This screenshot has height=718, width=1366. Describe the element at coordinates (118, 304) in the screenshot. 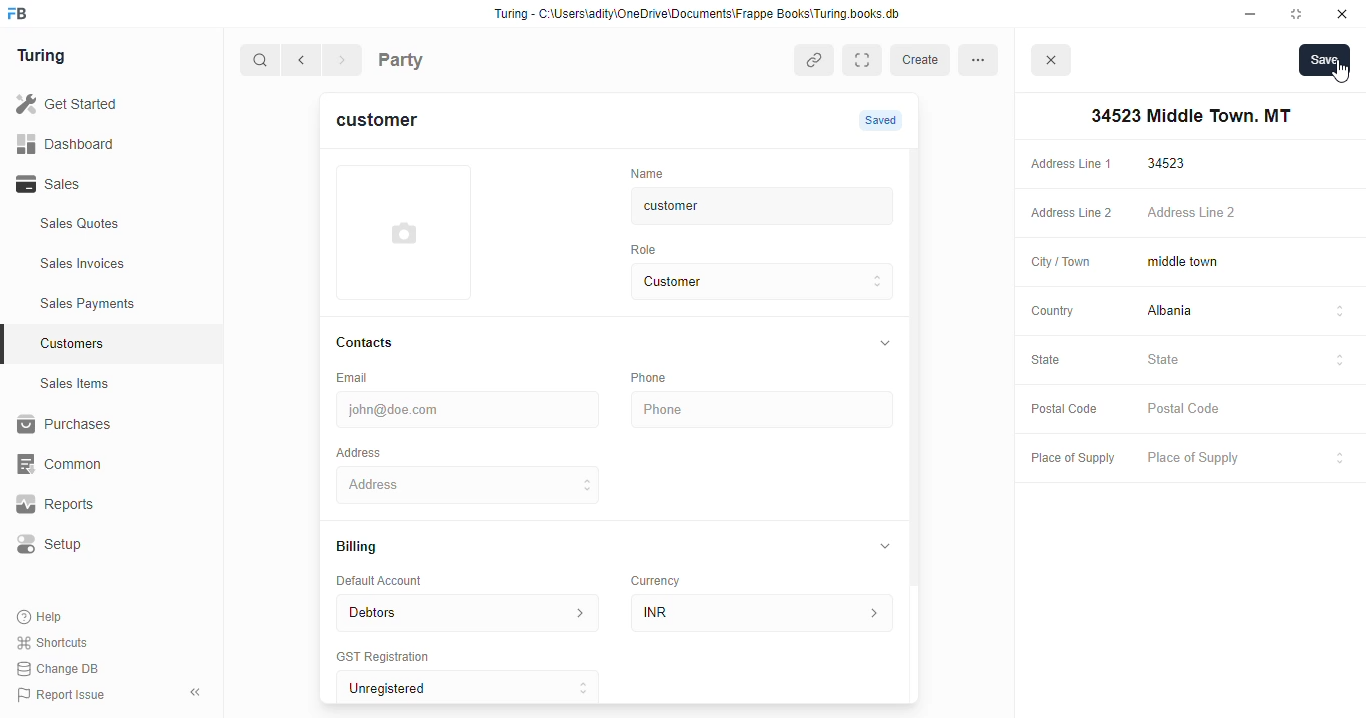

I see `Sales Payments` at that location.